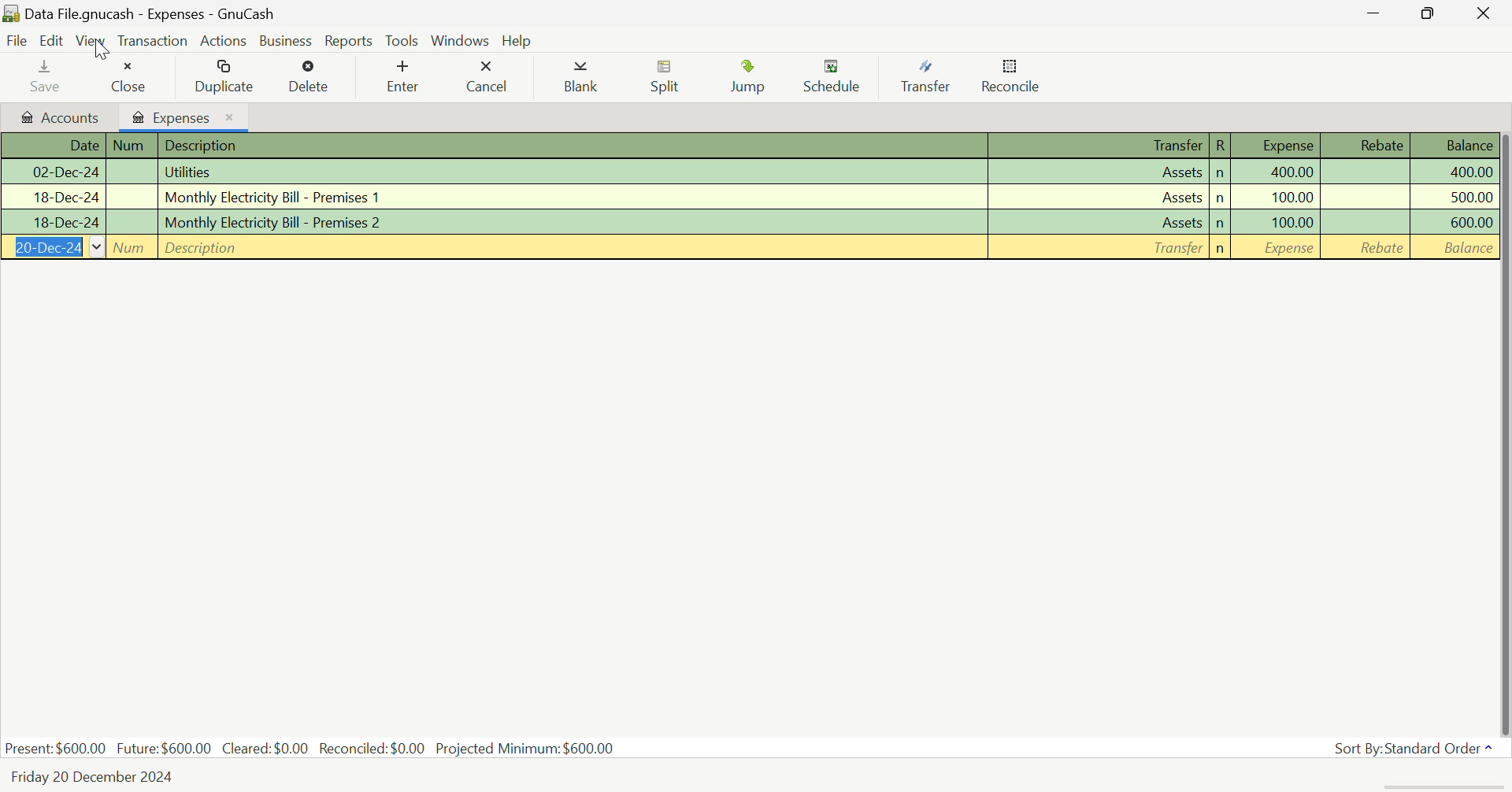 Image resolution: width=1512 pixels, height=792 pixels. What do you see at coordinates (129, 172) in the screenshot?
I see `Num` at bounding box center [129, 172].